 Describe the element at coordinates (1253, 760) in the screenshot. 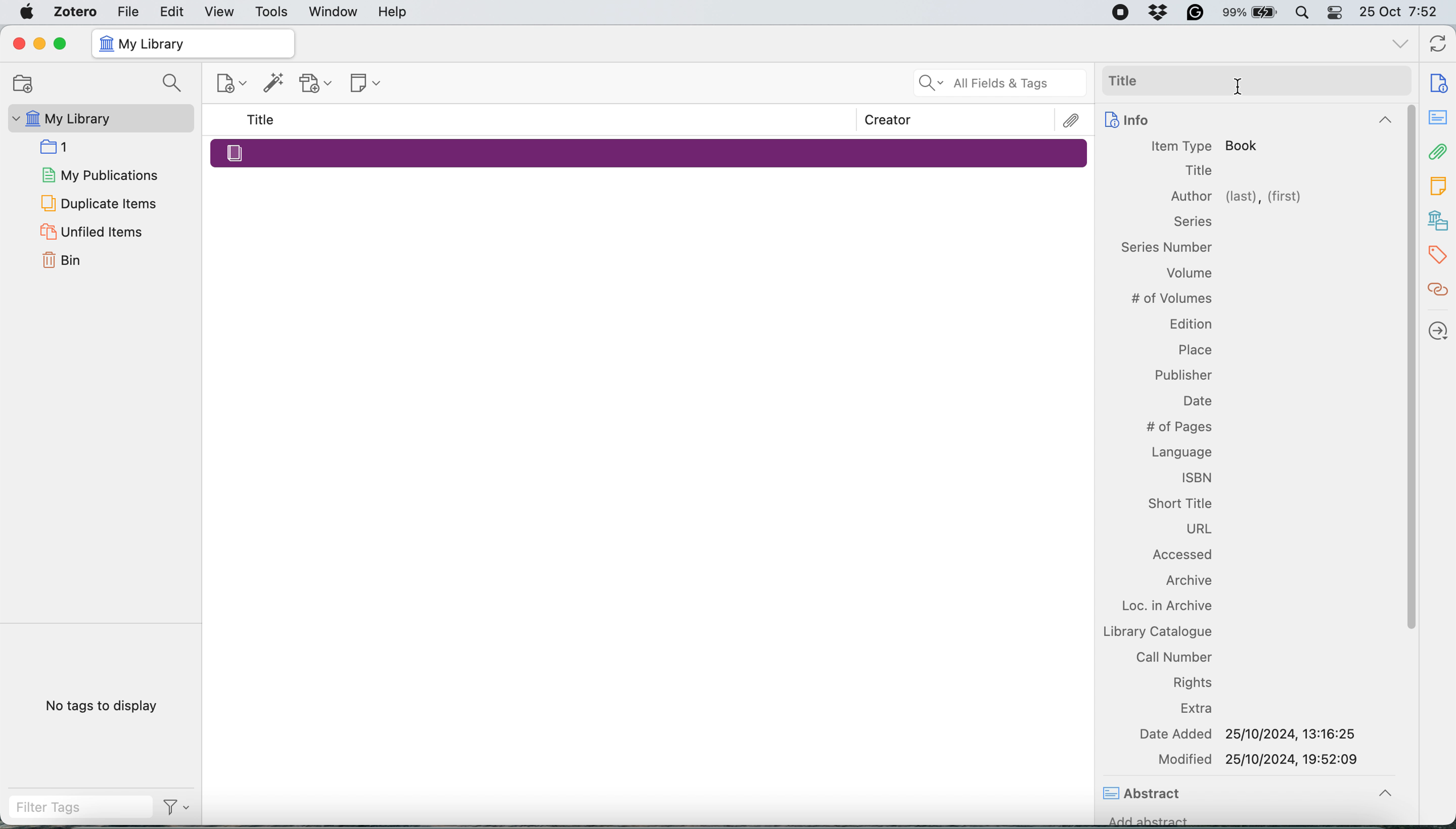

I see `Modified 25/10/2024, 19:52:09` at that location.